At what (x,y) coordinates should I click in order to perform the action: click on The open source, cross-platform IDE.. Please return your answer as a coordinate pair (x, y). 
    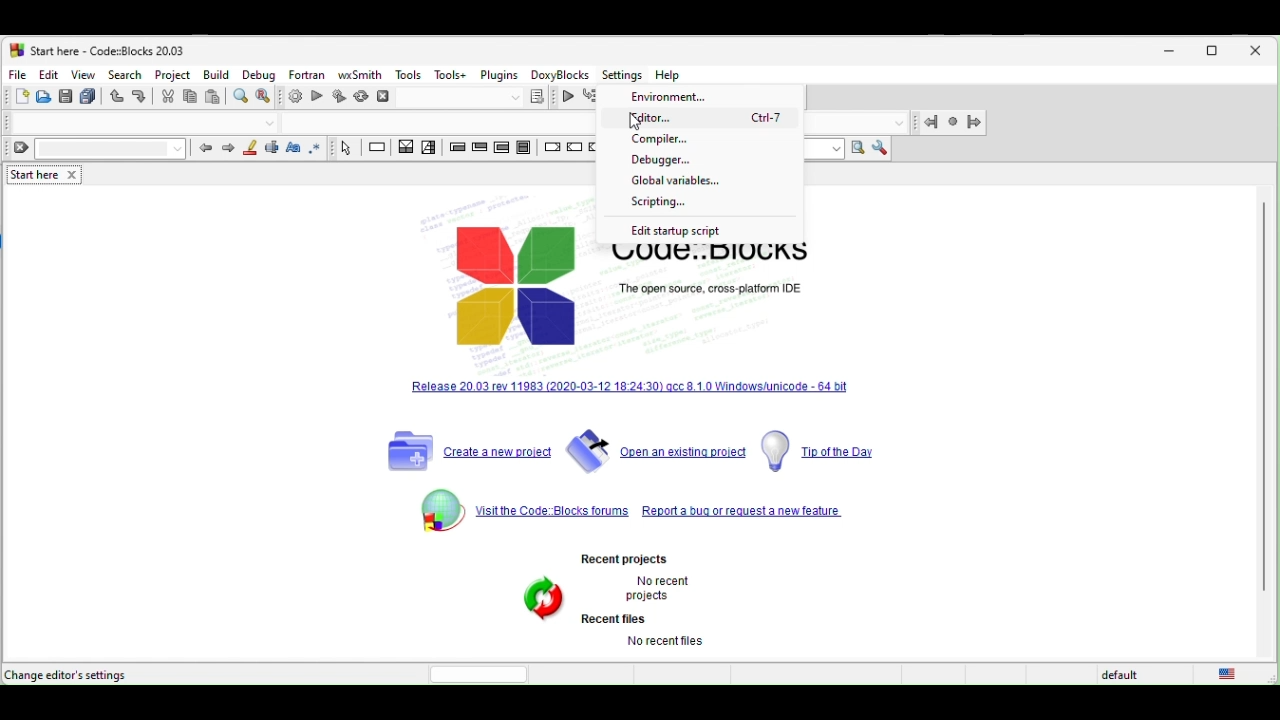
    Looking at the image, I should click on (714, 290).